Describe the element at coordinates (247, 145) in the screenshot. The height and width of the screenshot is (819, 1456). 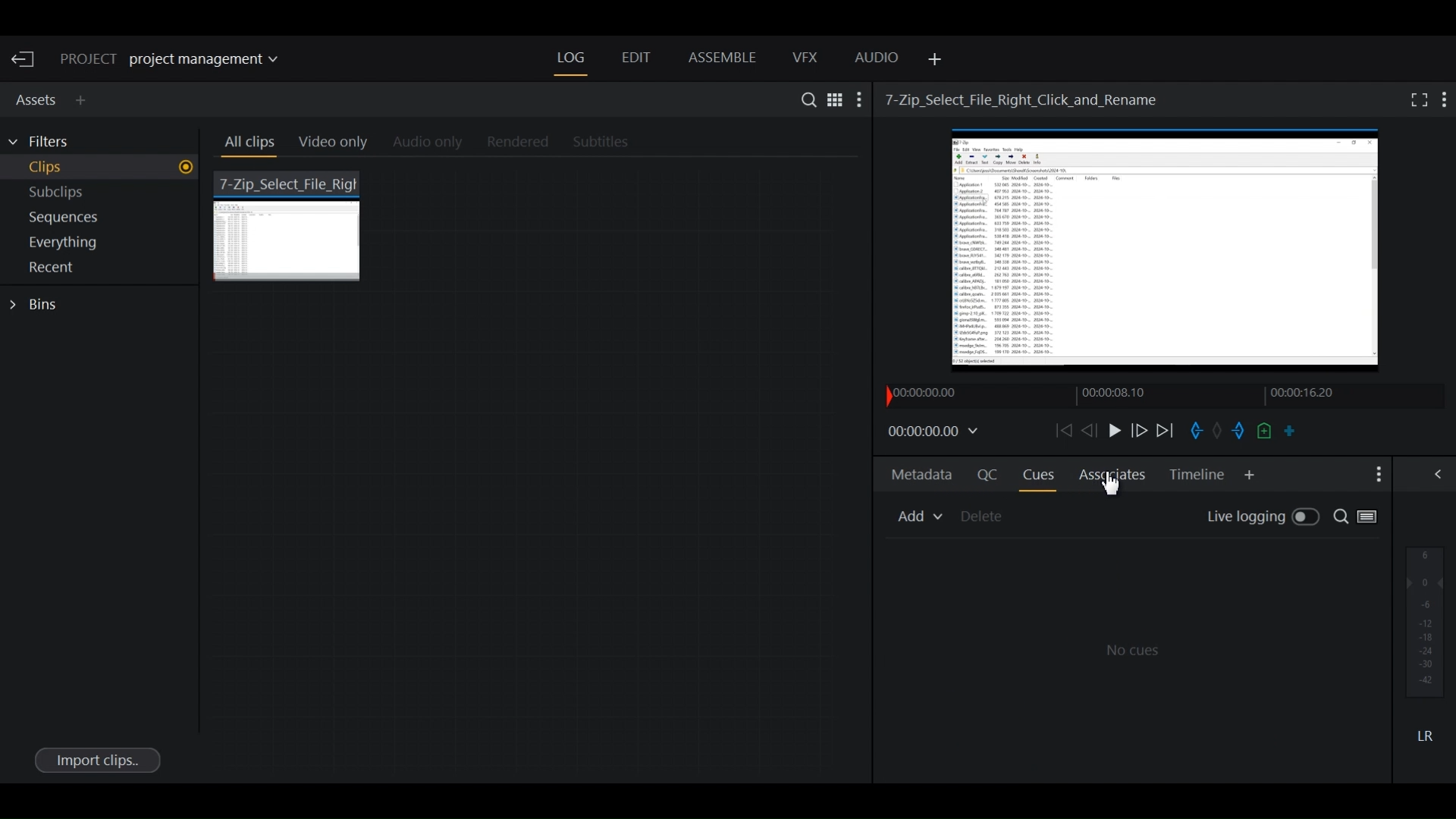
I see `All clips` at that location.